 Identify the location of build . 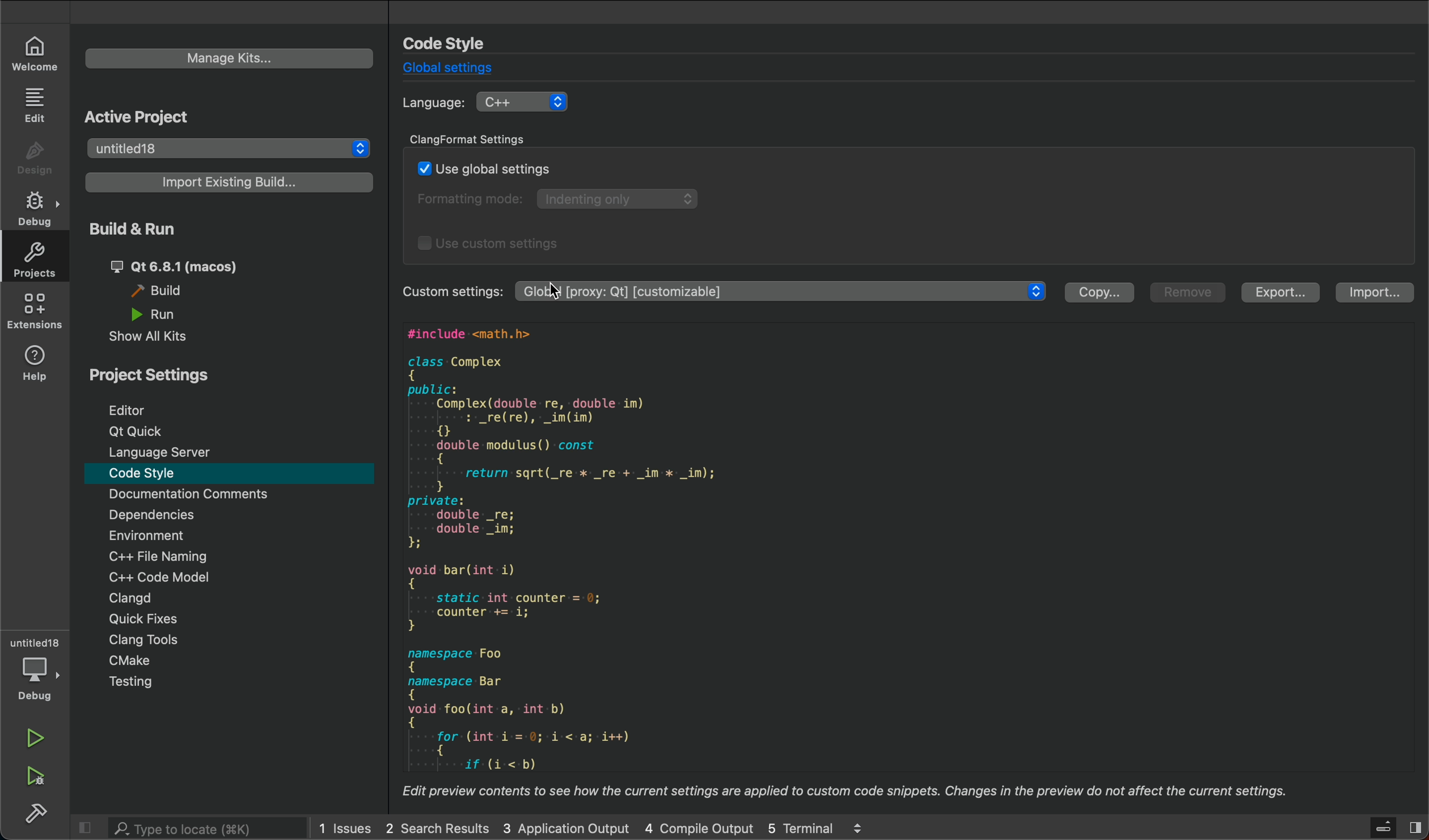
(147, 228).